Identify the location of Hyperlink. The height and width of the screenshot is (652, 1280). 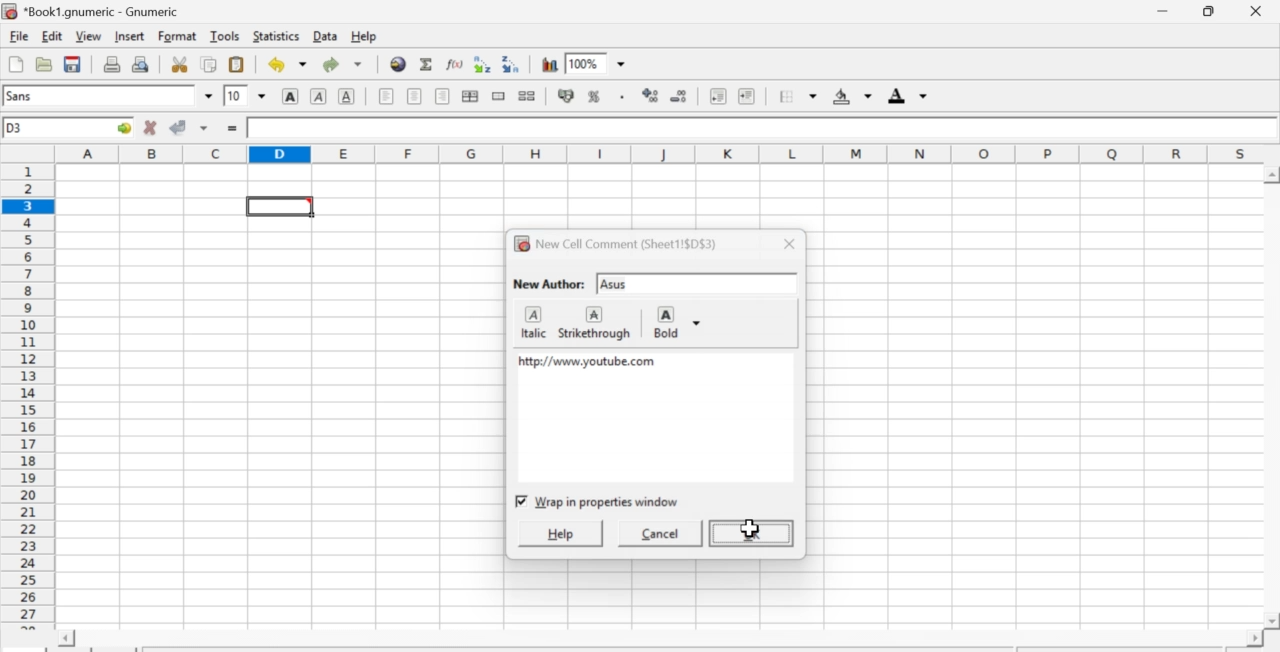
(398, 65).